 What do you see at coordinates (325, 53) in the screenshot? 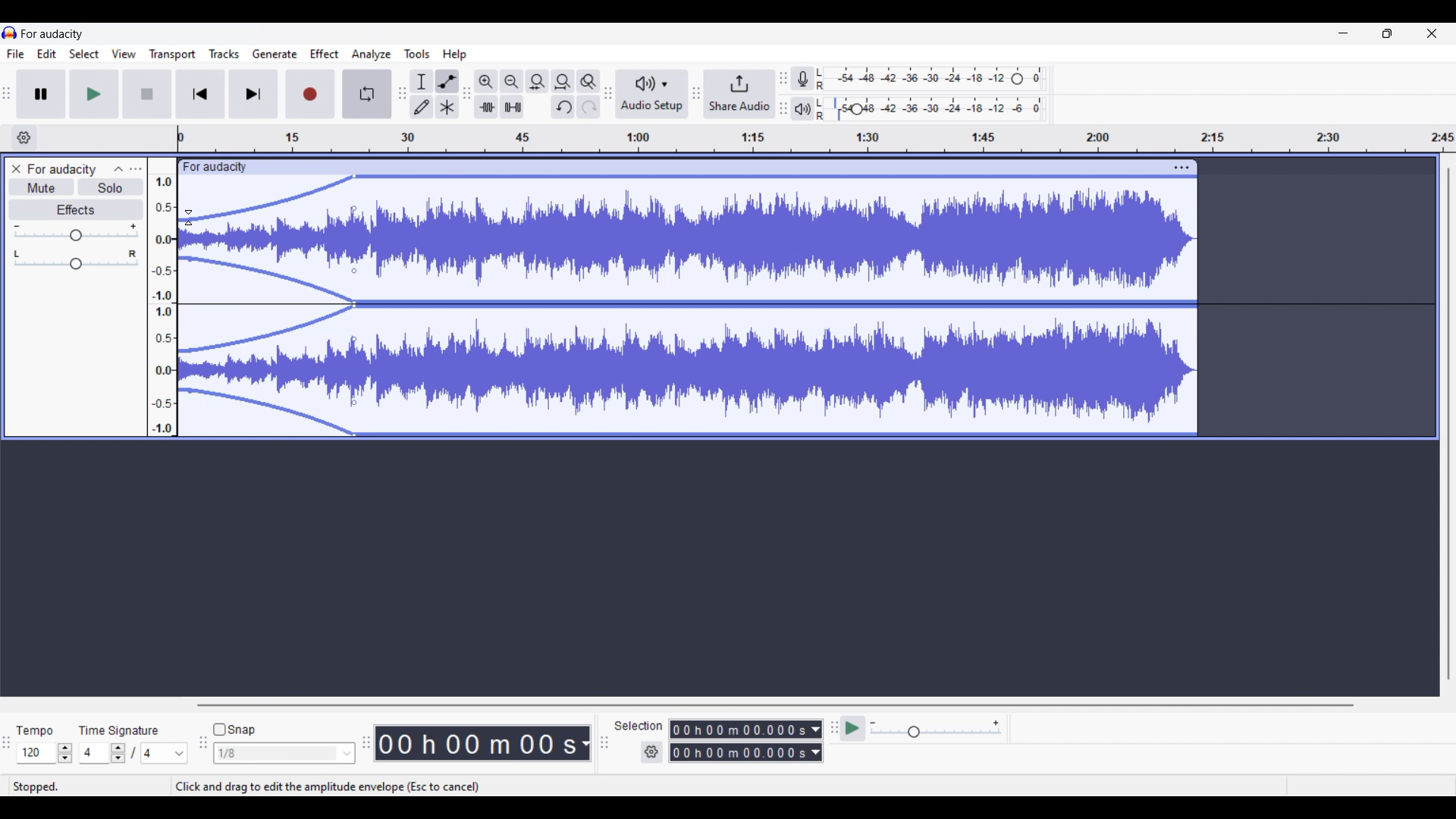
I see `Effect` at bounding box center [325, 53].